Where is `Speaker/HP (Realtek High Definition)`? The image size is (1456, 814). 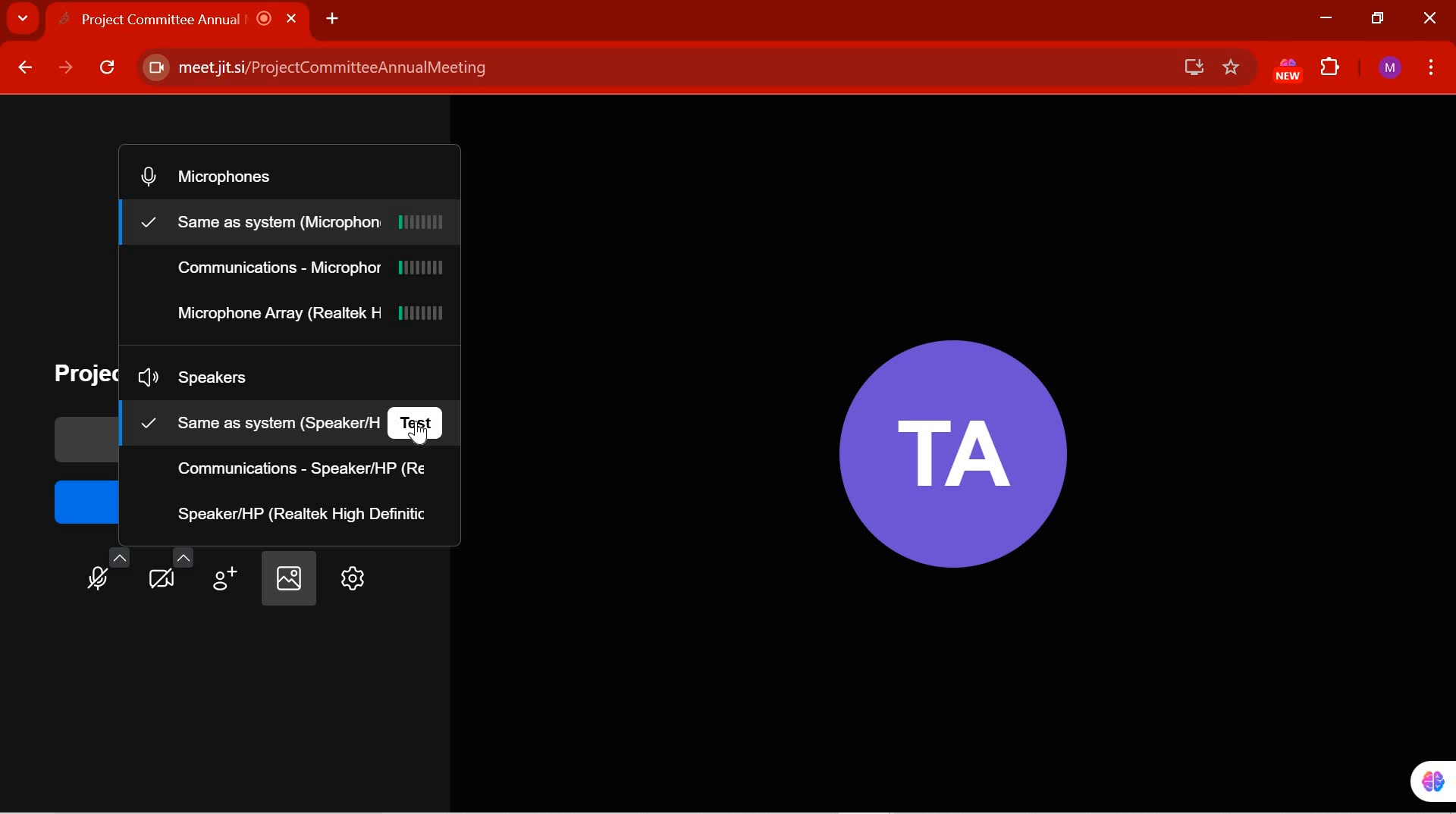
Speaker/HP (Realtek High Definition) is located at coordinates (305, 513).